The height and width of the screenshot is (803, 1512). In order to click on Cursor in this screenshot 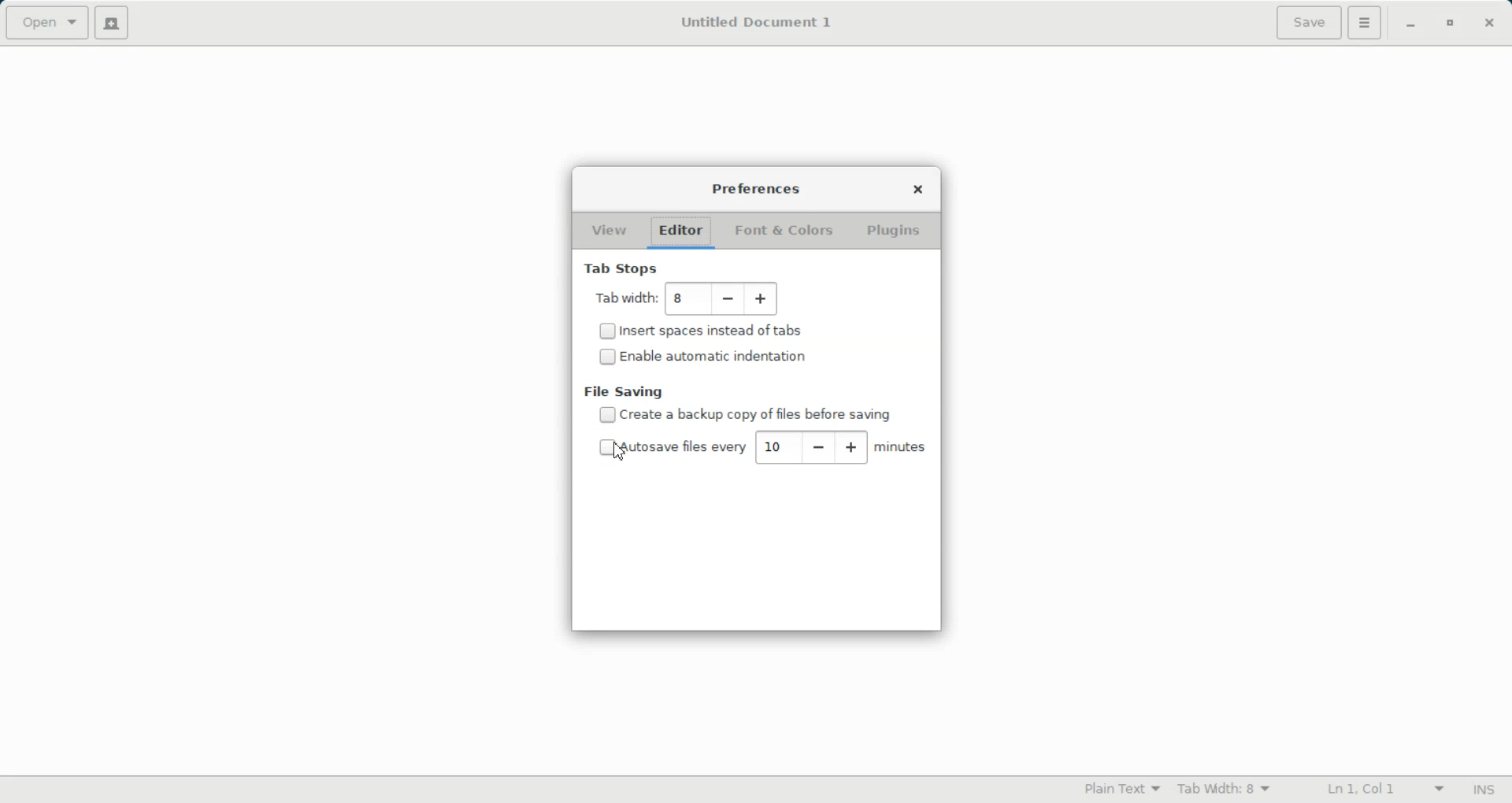, I will do `click(618, 451)`.